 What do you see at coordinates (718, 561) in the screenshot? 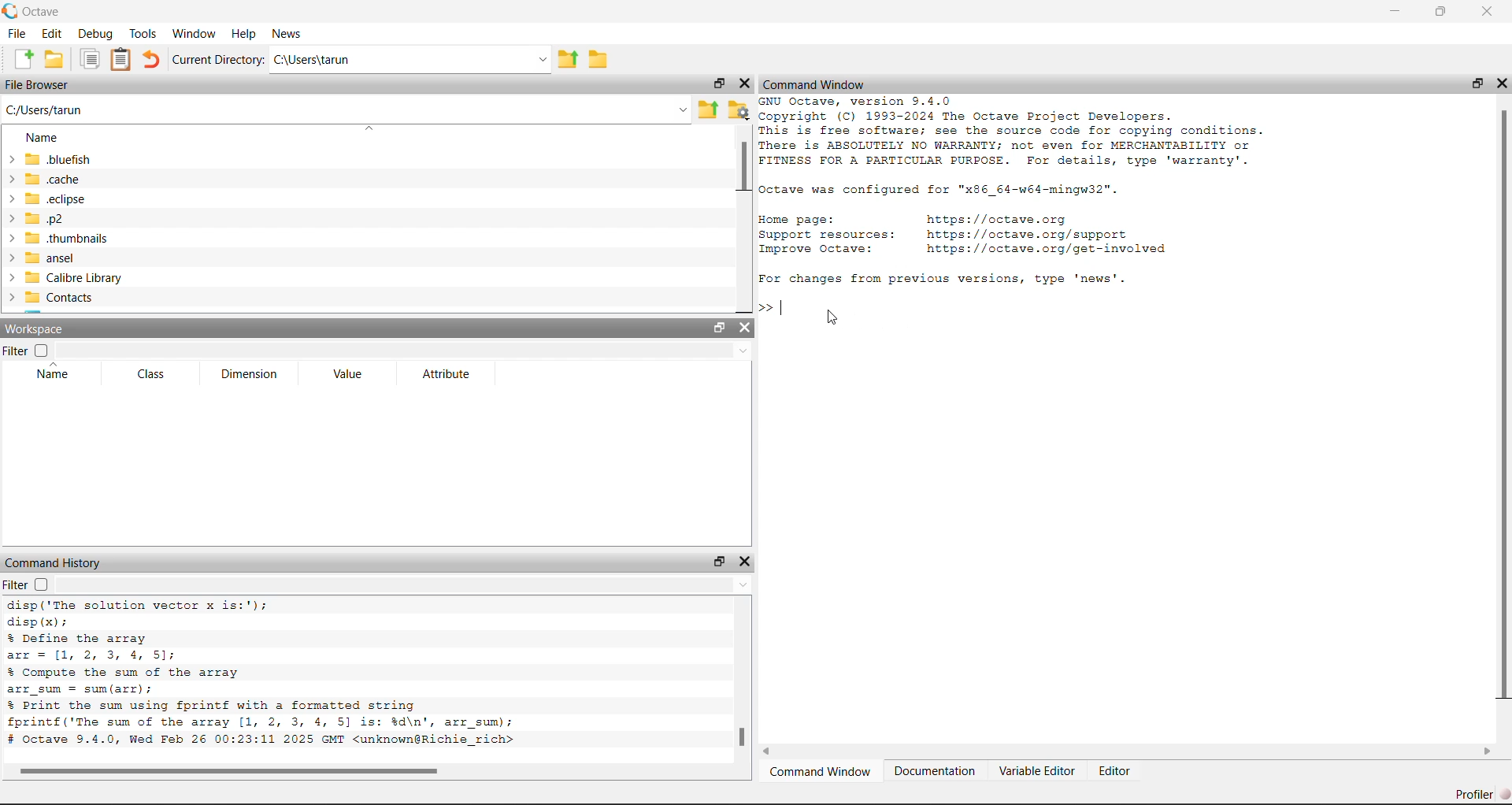
I see `Maximize` at bounding box center [718, 561].